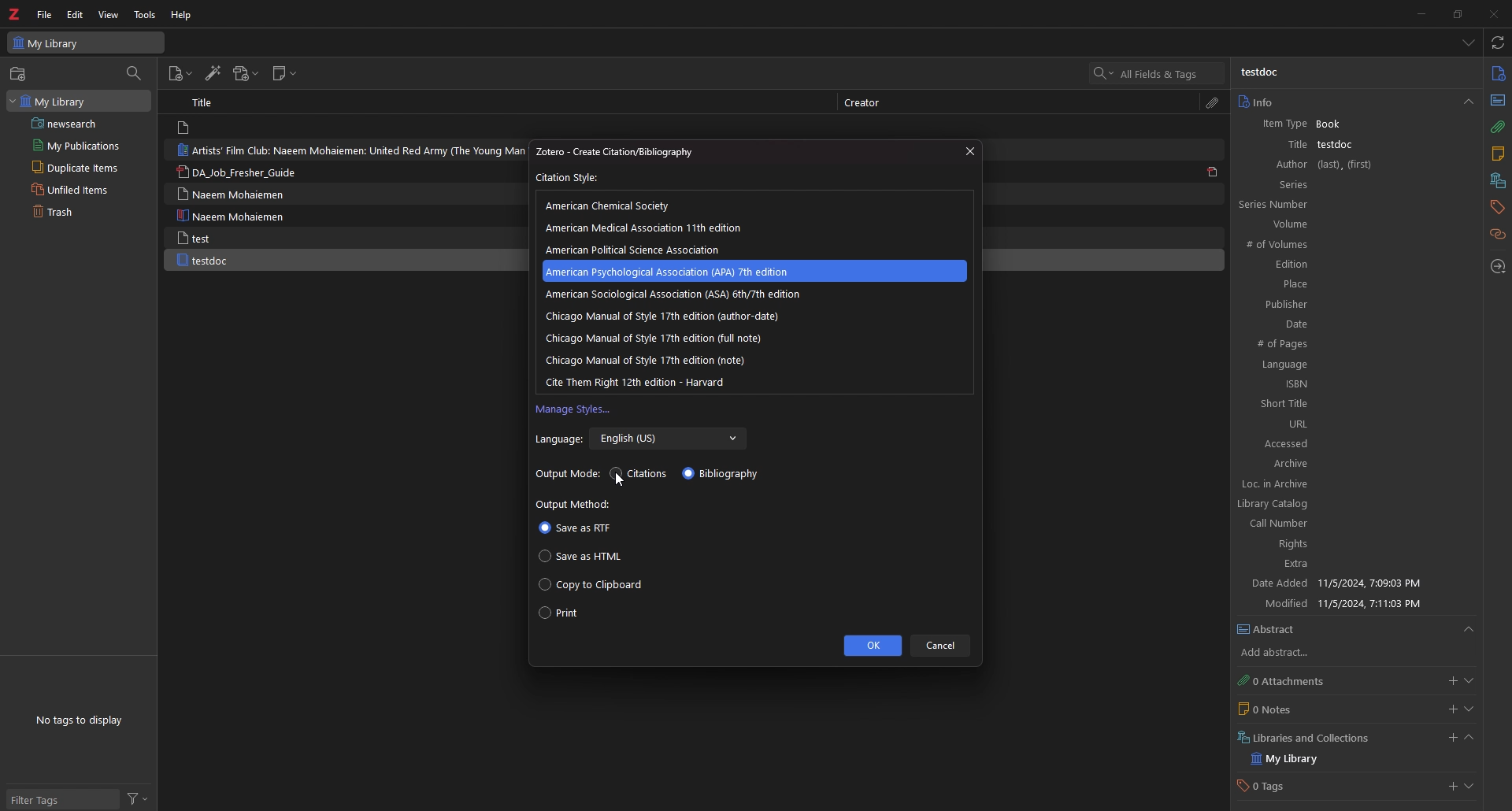  What do you see at coordinates (724, 473) in the screenshot?
I see `bibliography` at bounding box center [724, 473].